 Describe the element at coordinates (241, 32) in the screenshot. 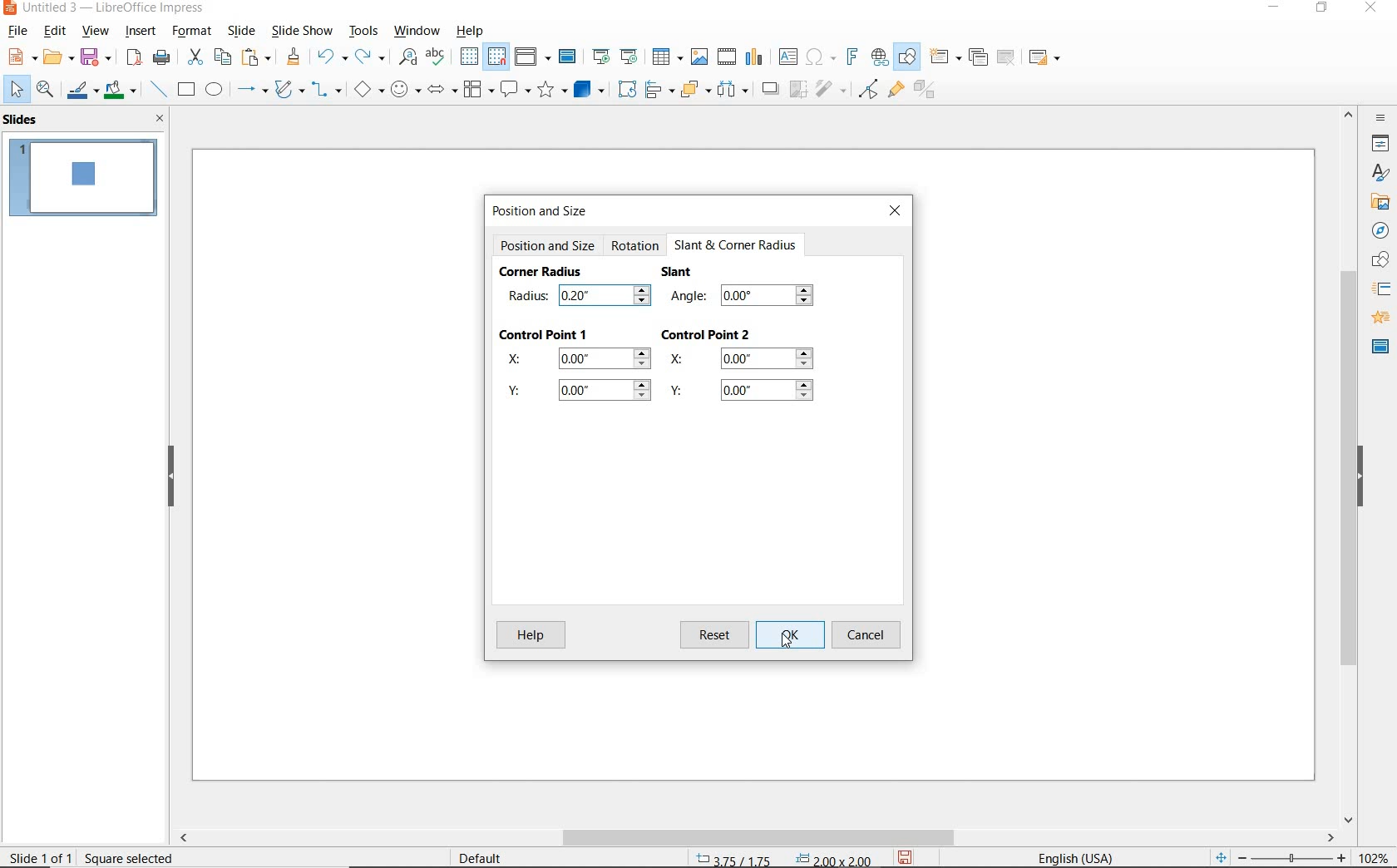

I see `slide` at that location.